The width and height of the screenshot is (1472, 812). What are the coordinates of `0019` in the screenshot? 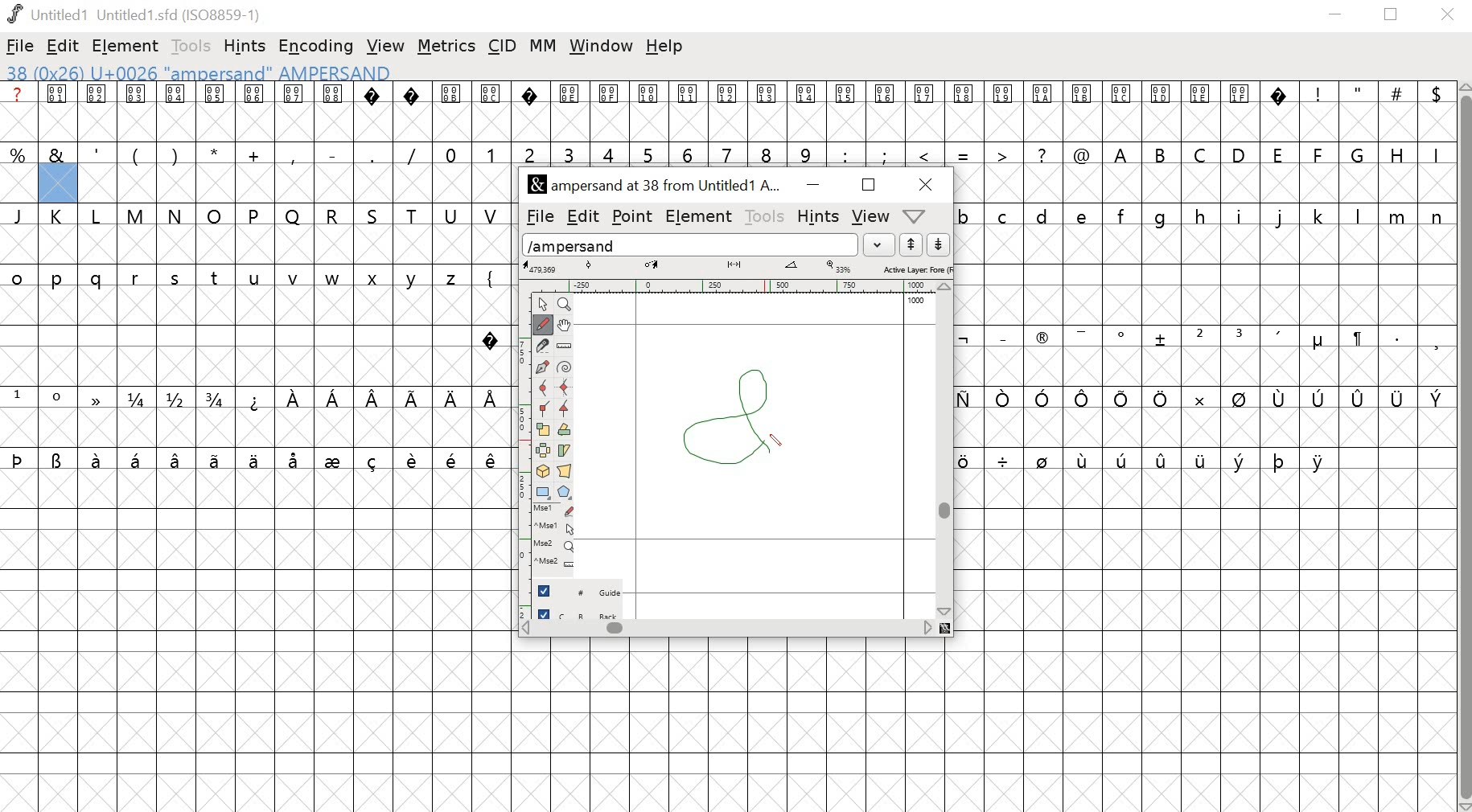 It's located at (1004, 112).